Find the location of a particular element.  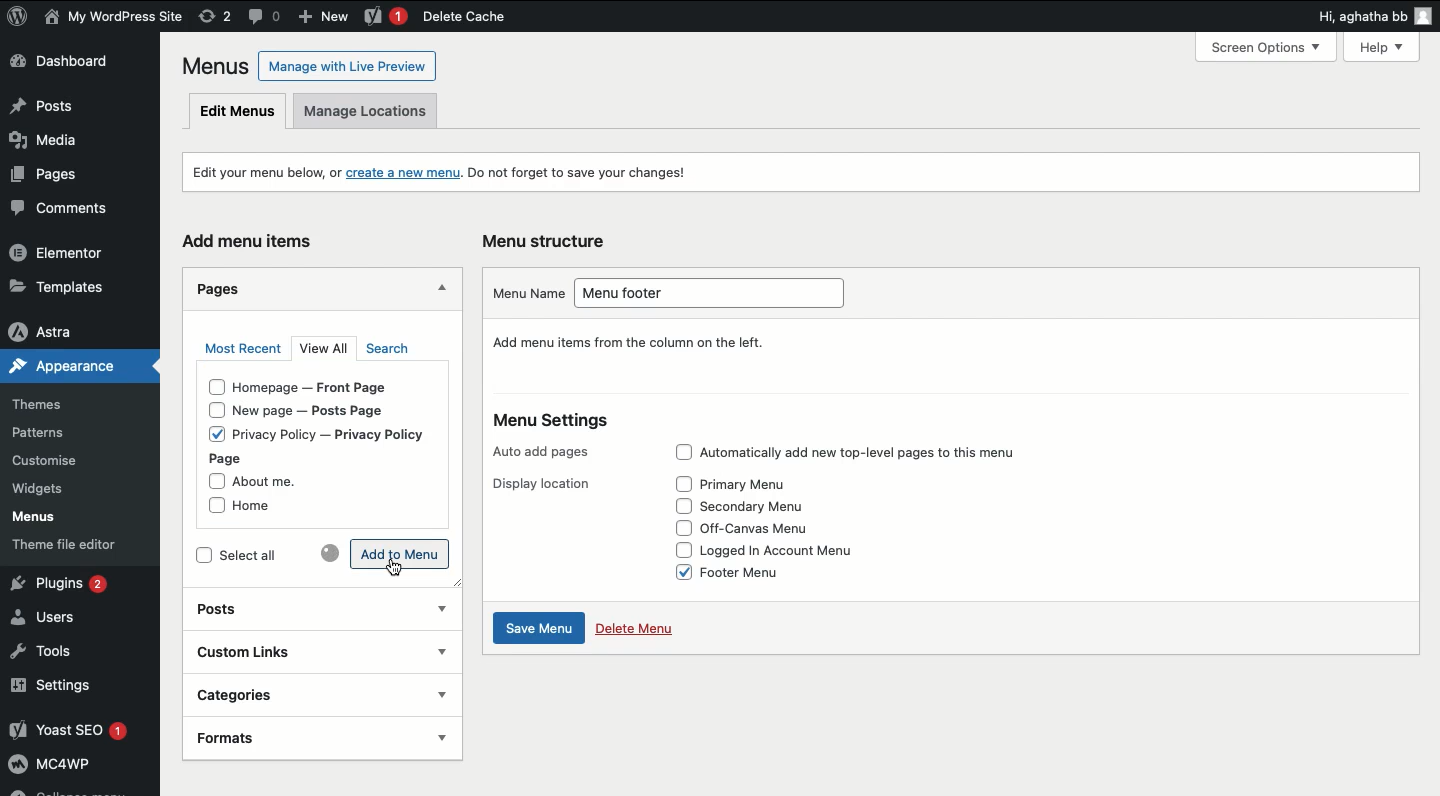

Appearance is located at coordinates (58, 370).